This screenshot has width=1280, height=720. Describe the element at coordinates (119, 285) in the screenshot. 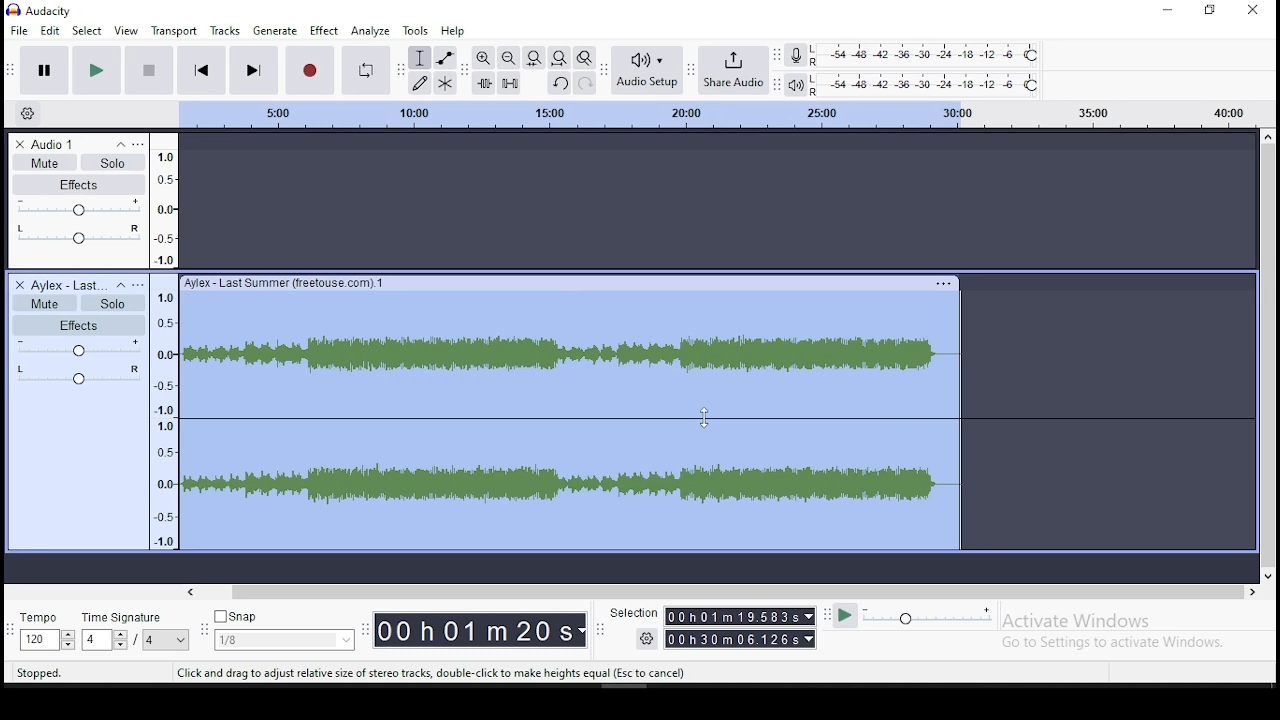

I see `collapse` at that location.